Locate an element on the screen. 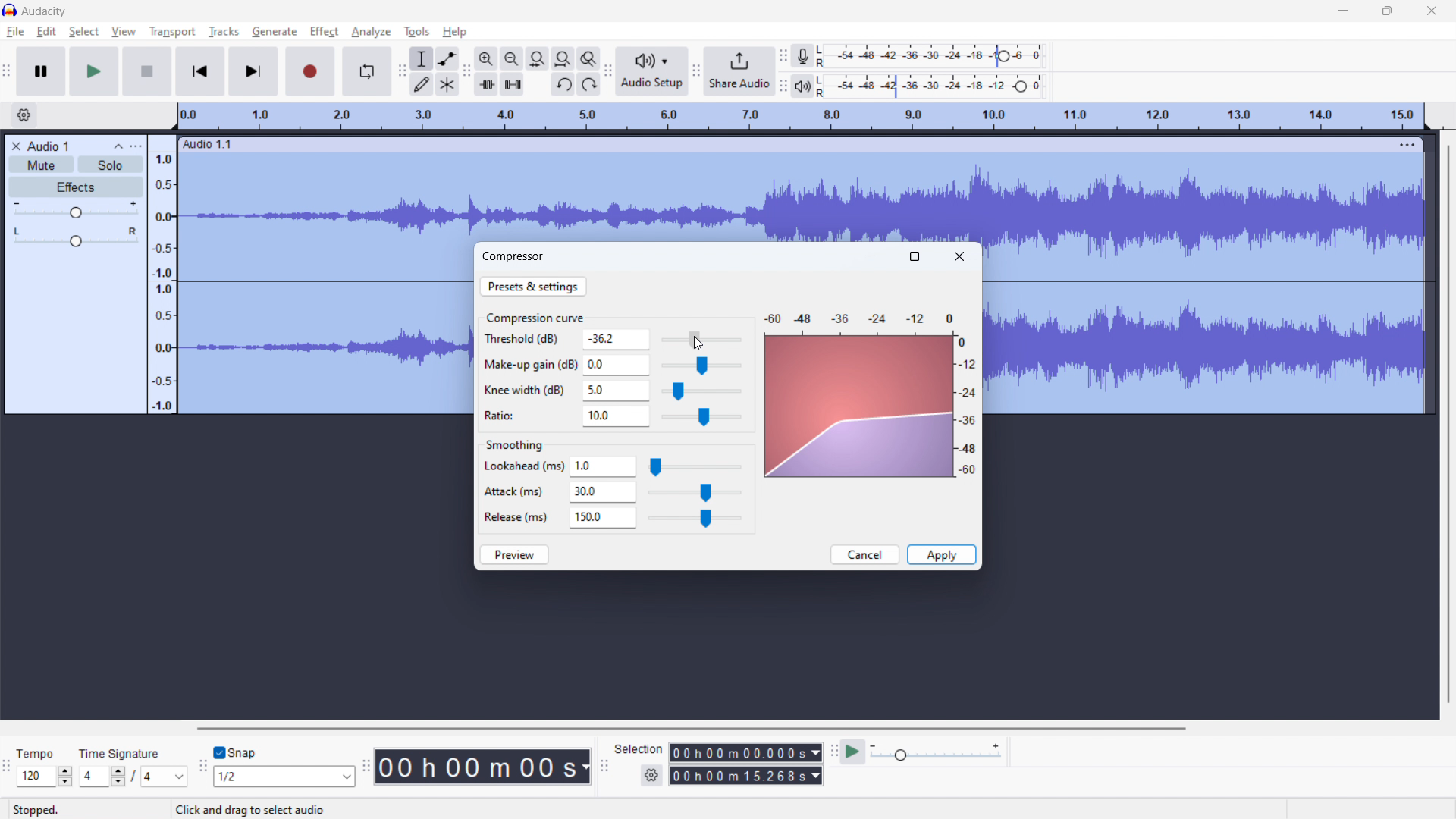 The width and height of the screenshot is (1456, 819). mute is located at coordinates (42, 165).